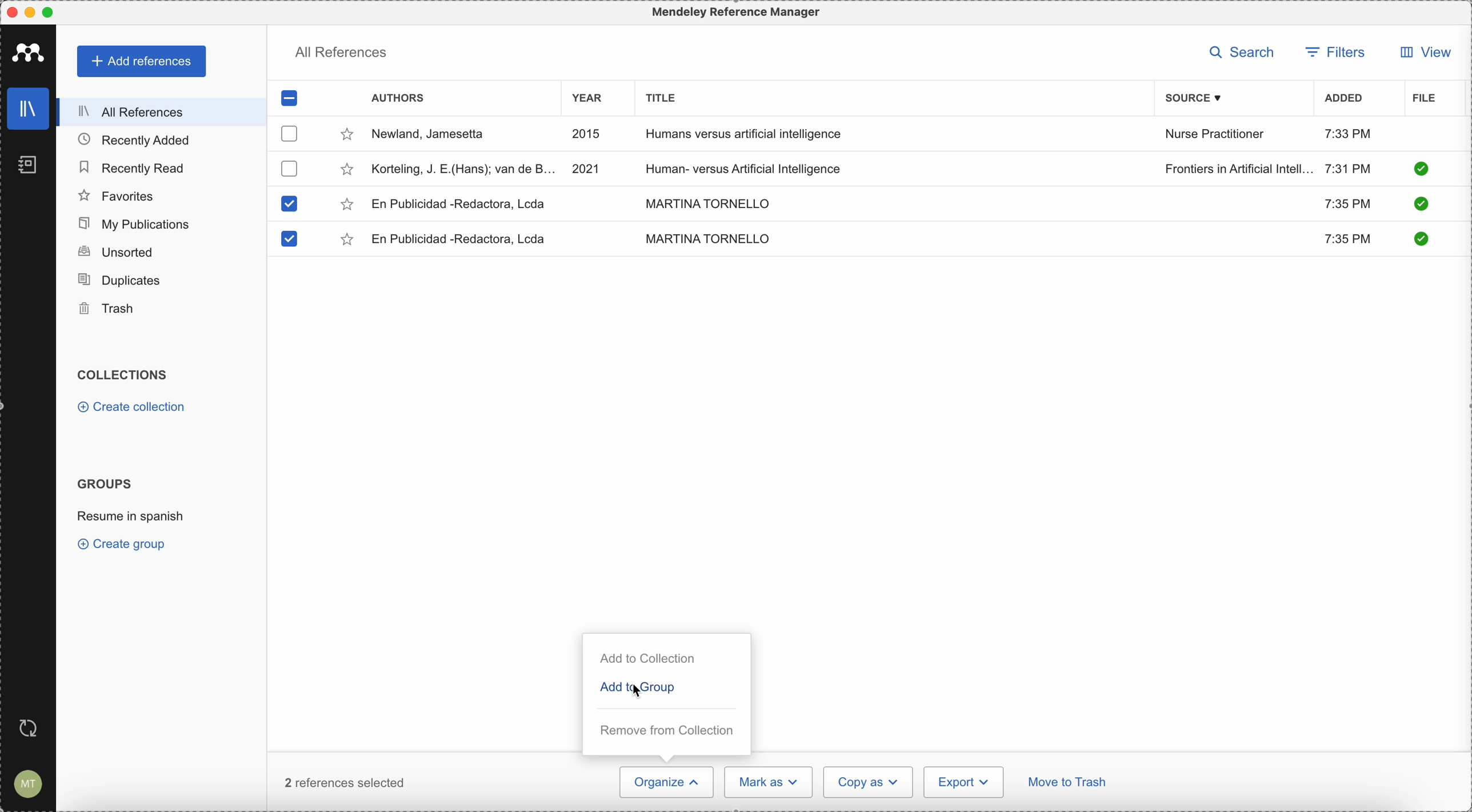  What do you see at coordinates (349, 241) in the screenshot?
I see `favorite` at bounding box center [349, 241].